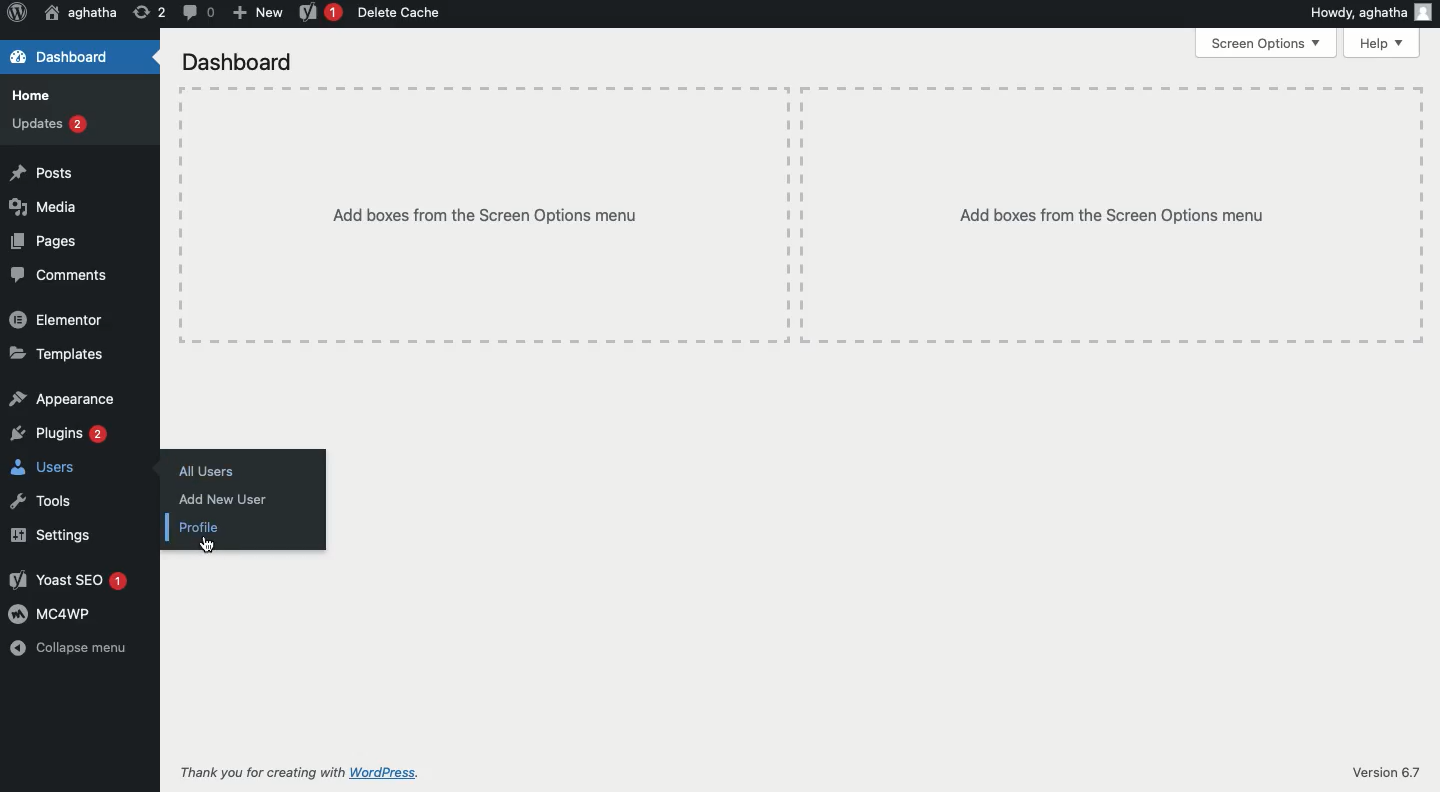  I want to click on Help, so click(1381, 45).